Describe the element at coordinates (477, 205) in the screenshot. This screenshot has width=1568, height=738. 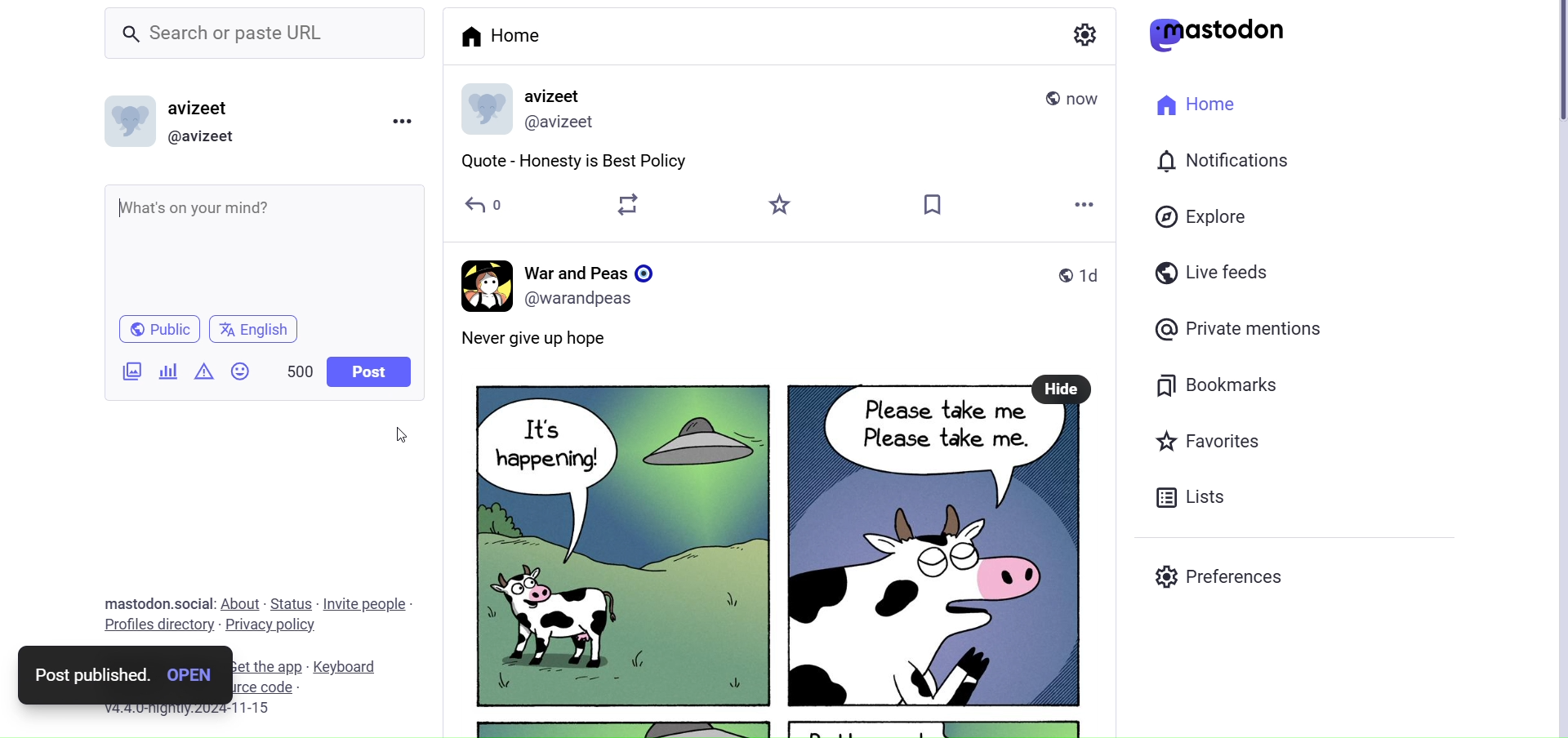
I see `Reply` at that location.